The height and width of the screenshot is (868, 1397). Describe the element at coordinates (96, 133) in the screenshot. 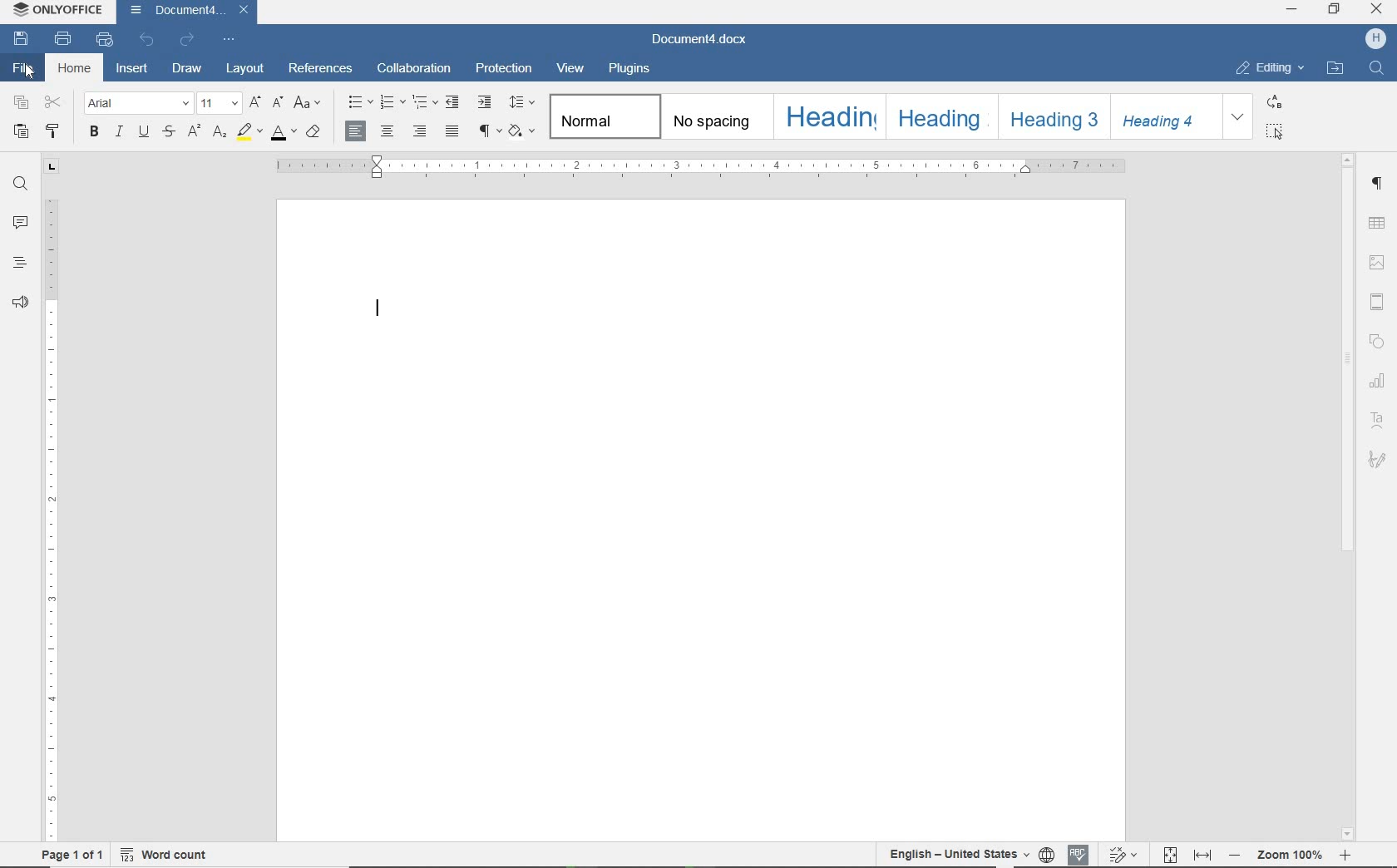

I see `bold` at that location.